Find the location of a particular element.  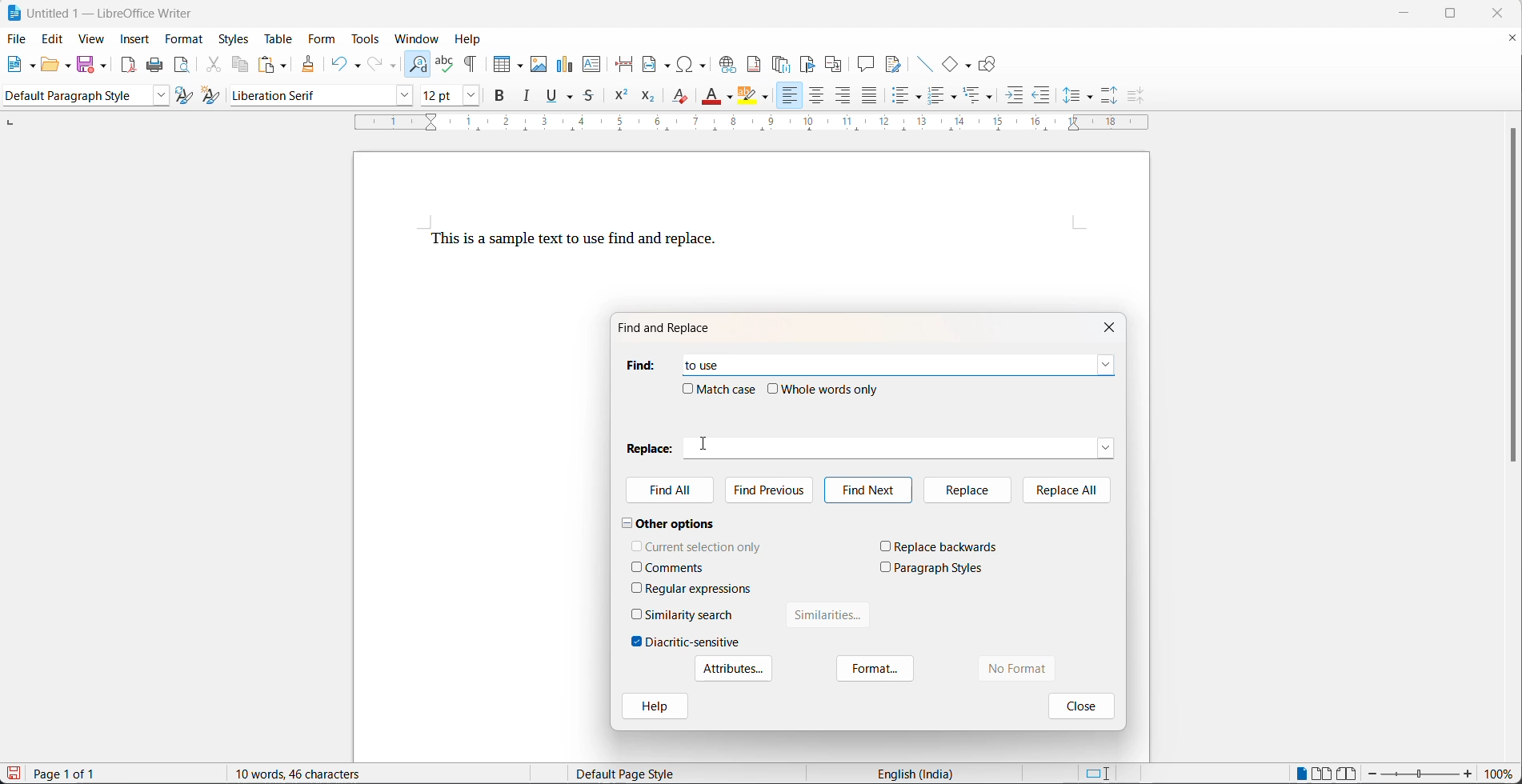

strike through is located at coordinates (591, 98).